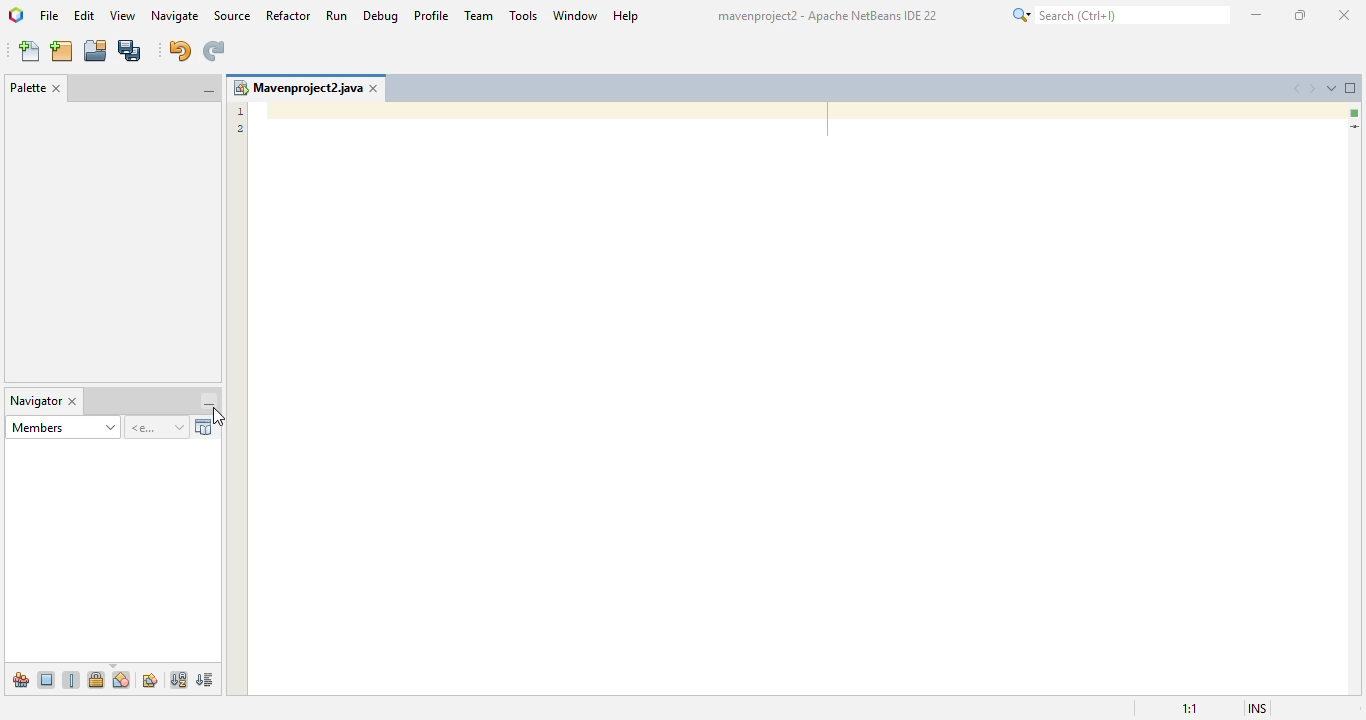 This screenshot has width=1366, height=720. What do you see at coordinates (131, 50) in the screenshot?
I see `save all` at bounding box center [131, 50].